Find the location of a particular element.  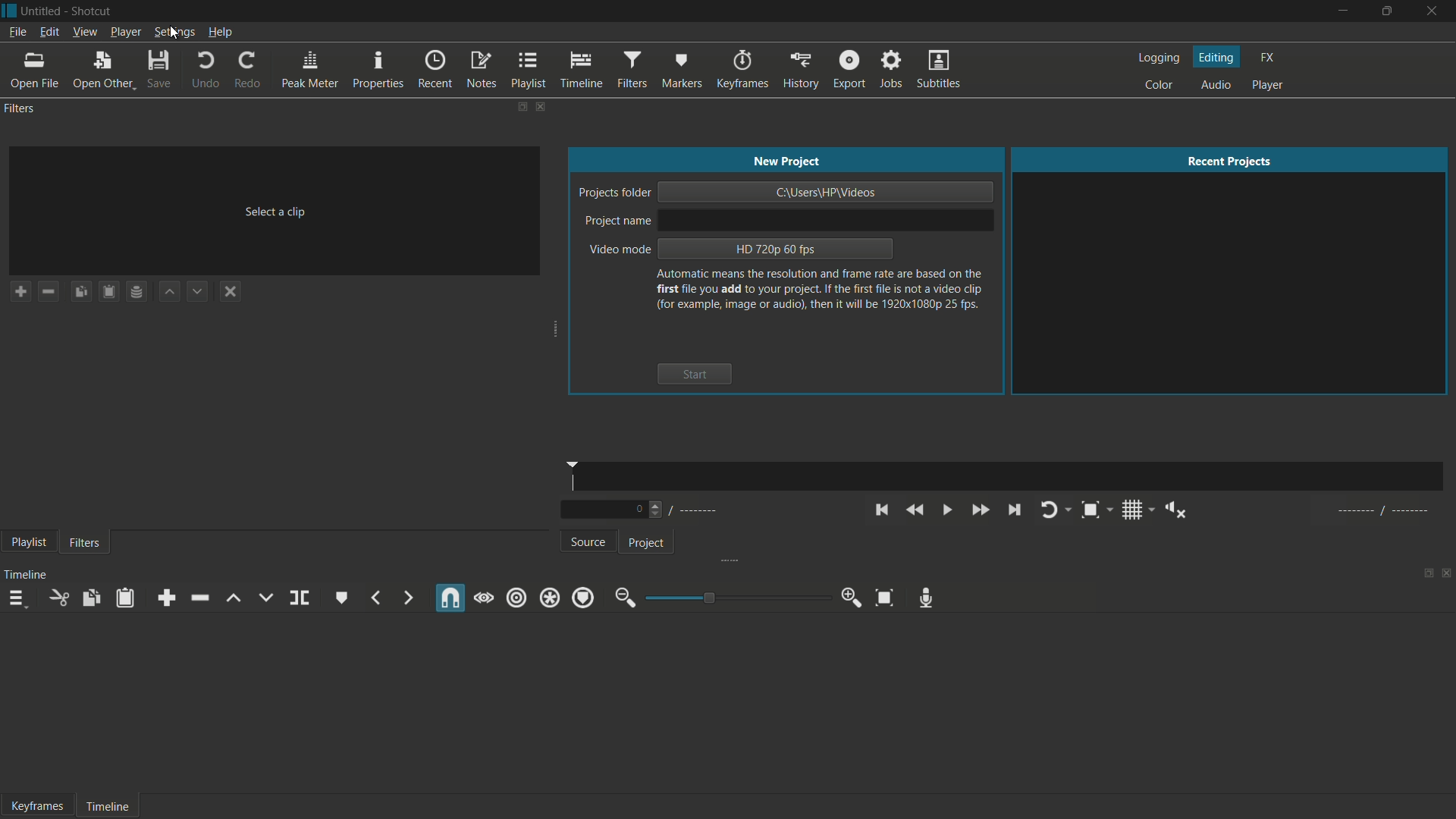

project name input bar is located at coordinates (825, 219).